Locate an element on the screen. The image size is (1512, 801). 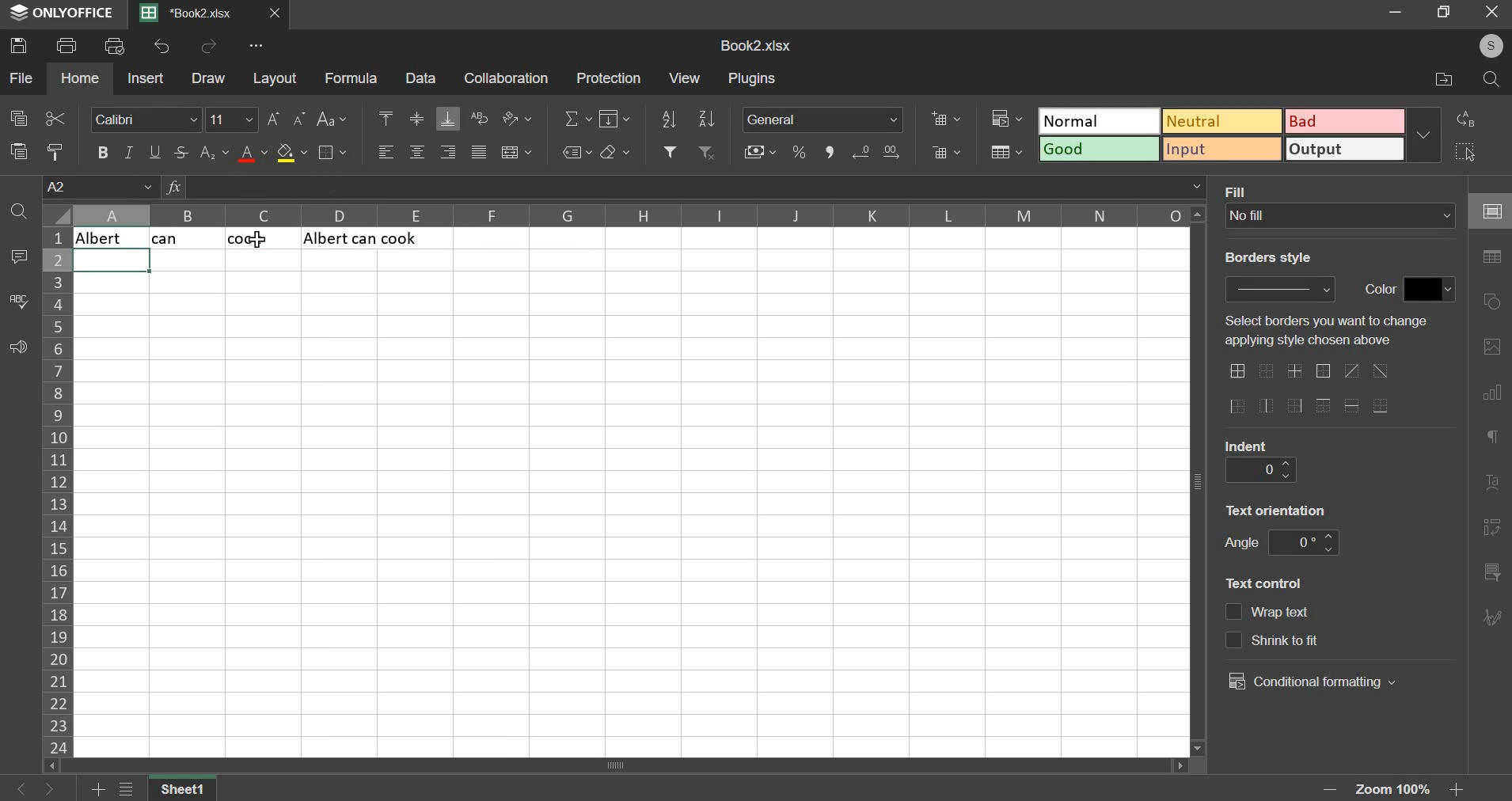
change case is located at coordinates (331, 120).